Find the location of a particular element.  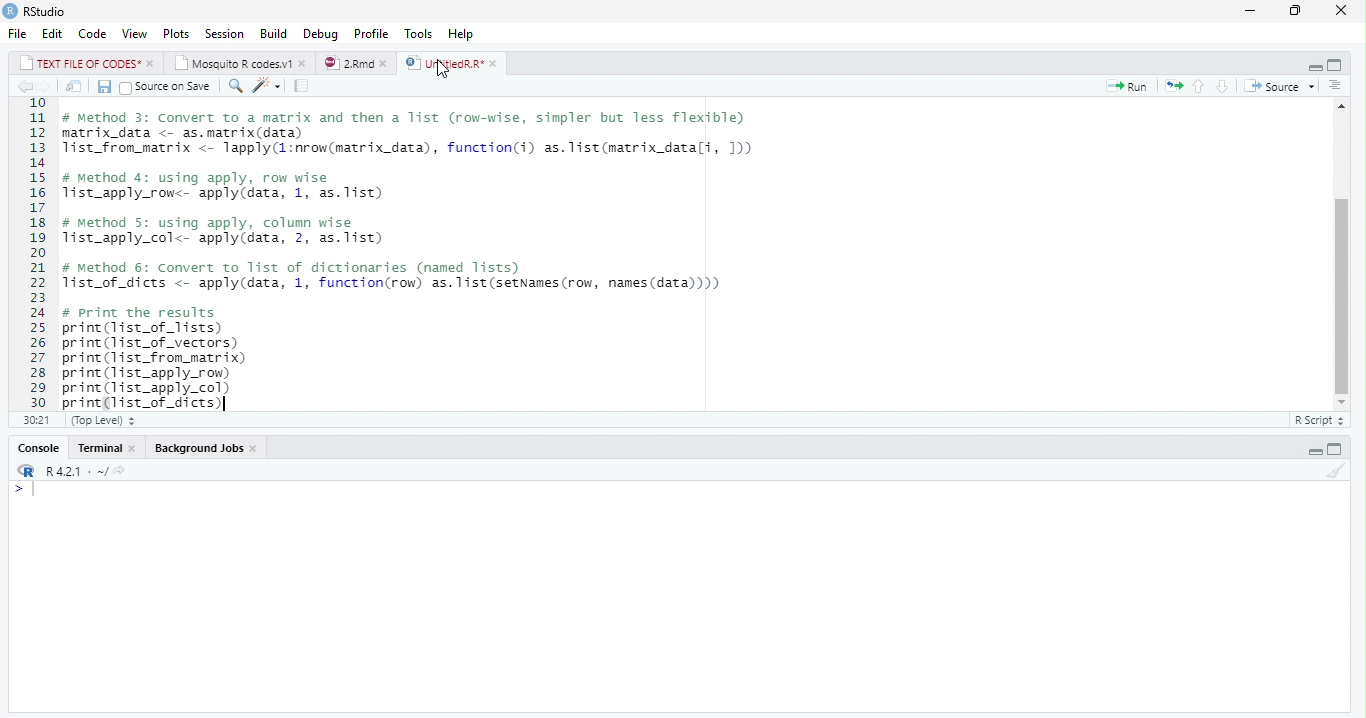

1ist_apply_col<- apply(data, 2, as. list) is located at coordinates (233, 239).